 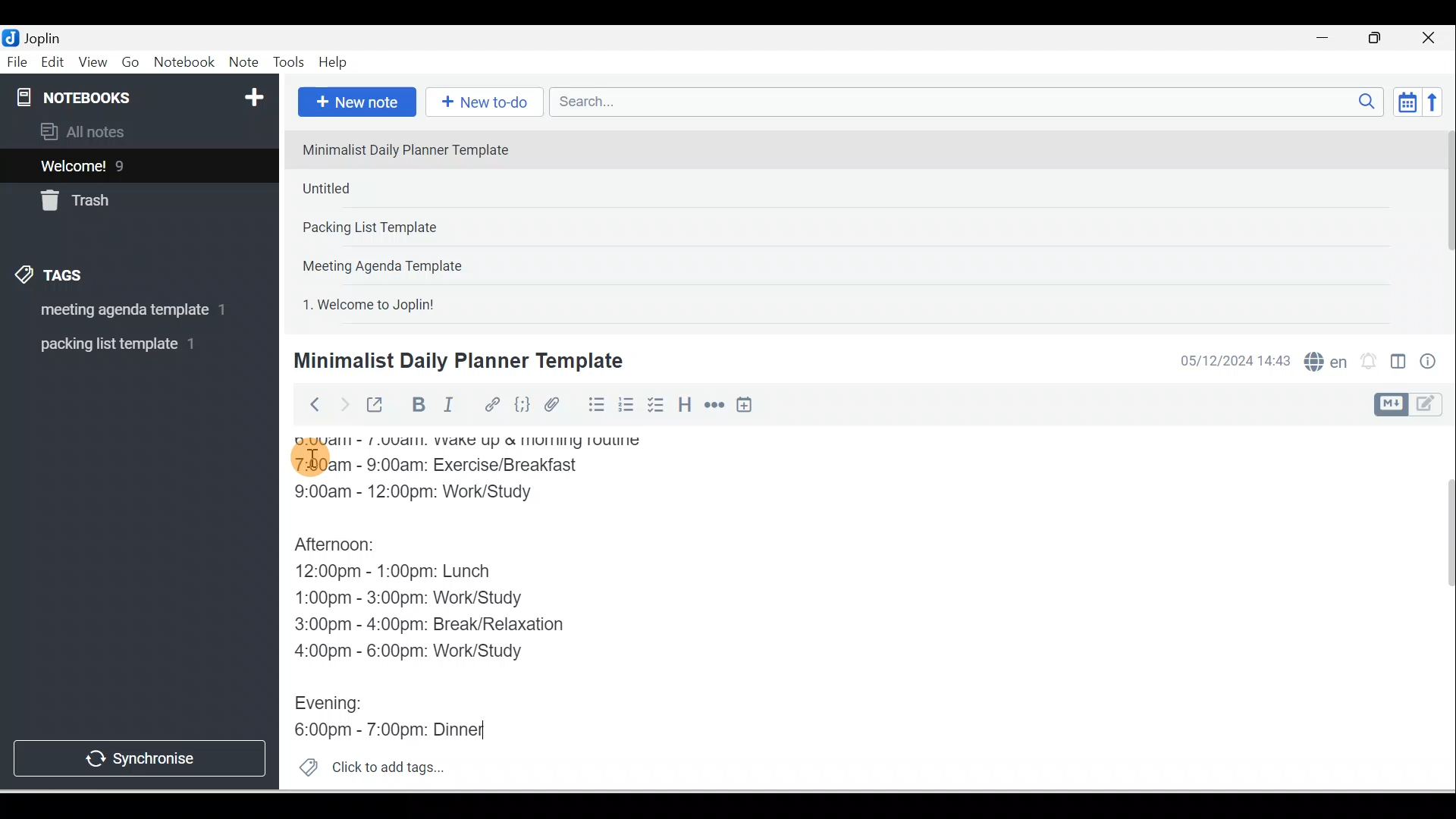 I want to click on Edit, so click(x=54, y=63).